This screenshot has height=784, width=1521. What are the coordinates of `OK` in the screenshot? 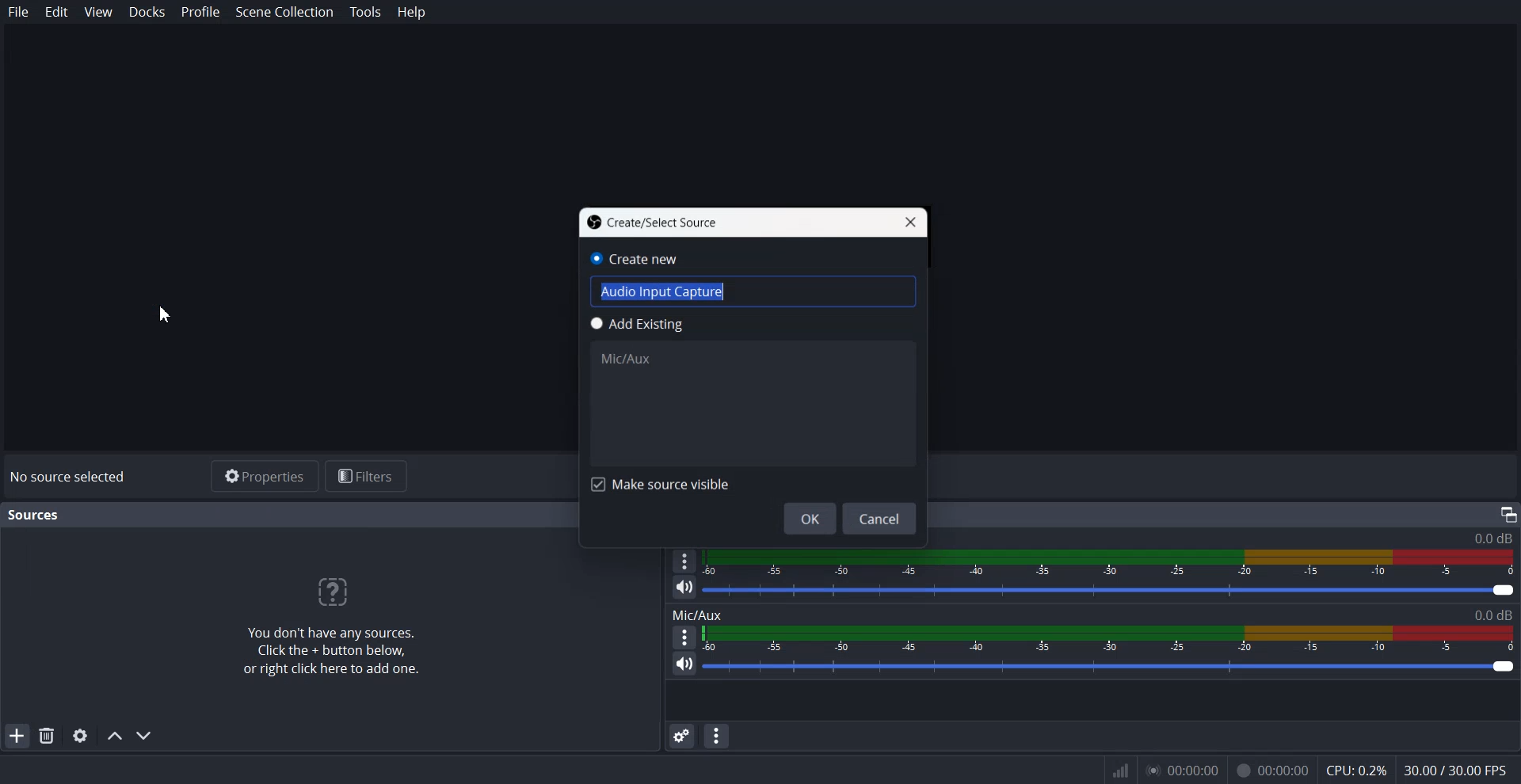 It's located at (810, 518).